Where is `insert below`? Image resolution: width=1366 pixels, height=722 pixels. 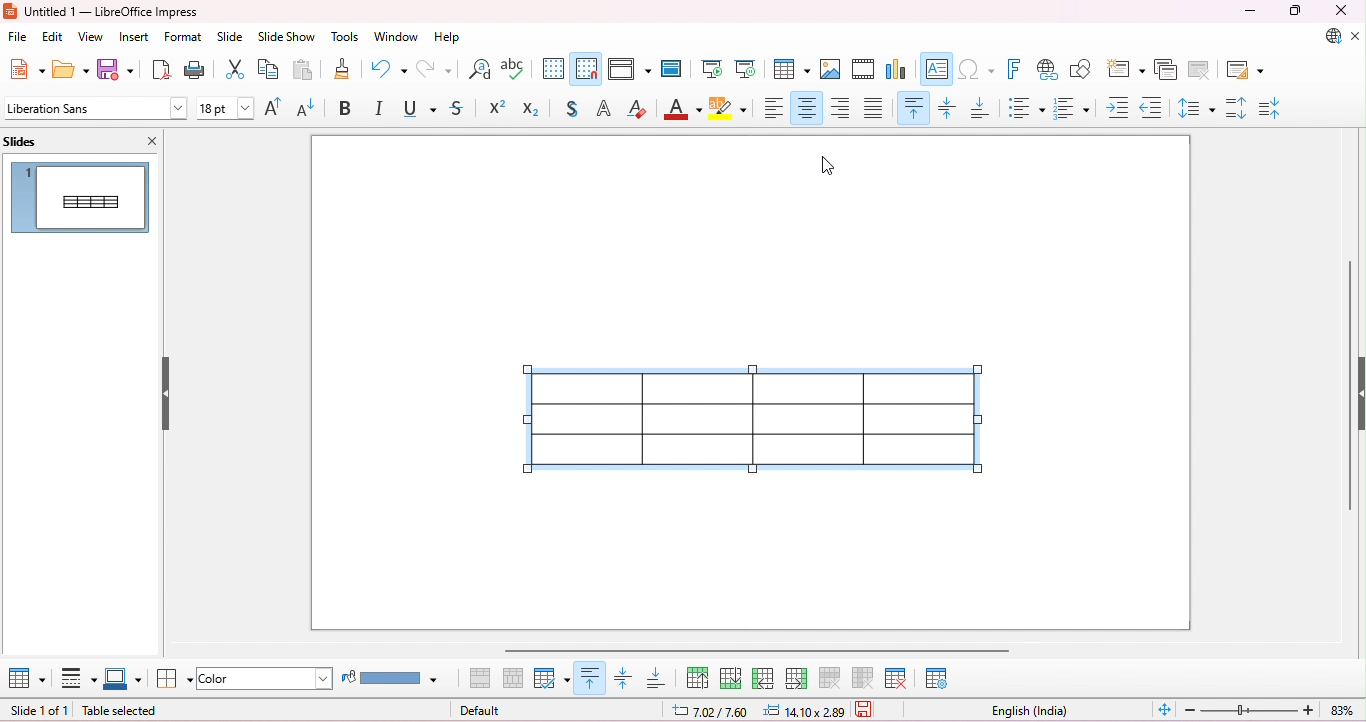
insert below is located at coordinates (731, 676).